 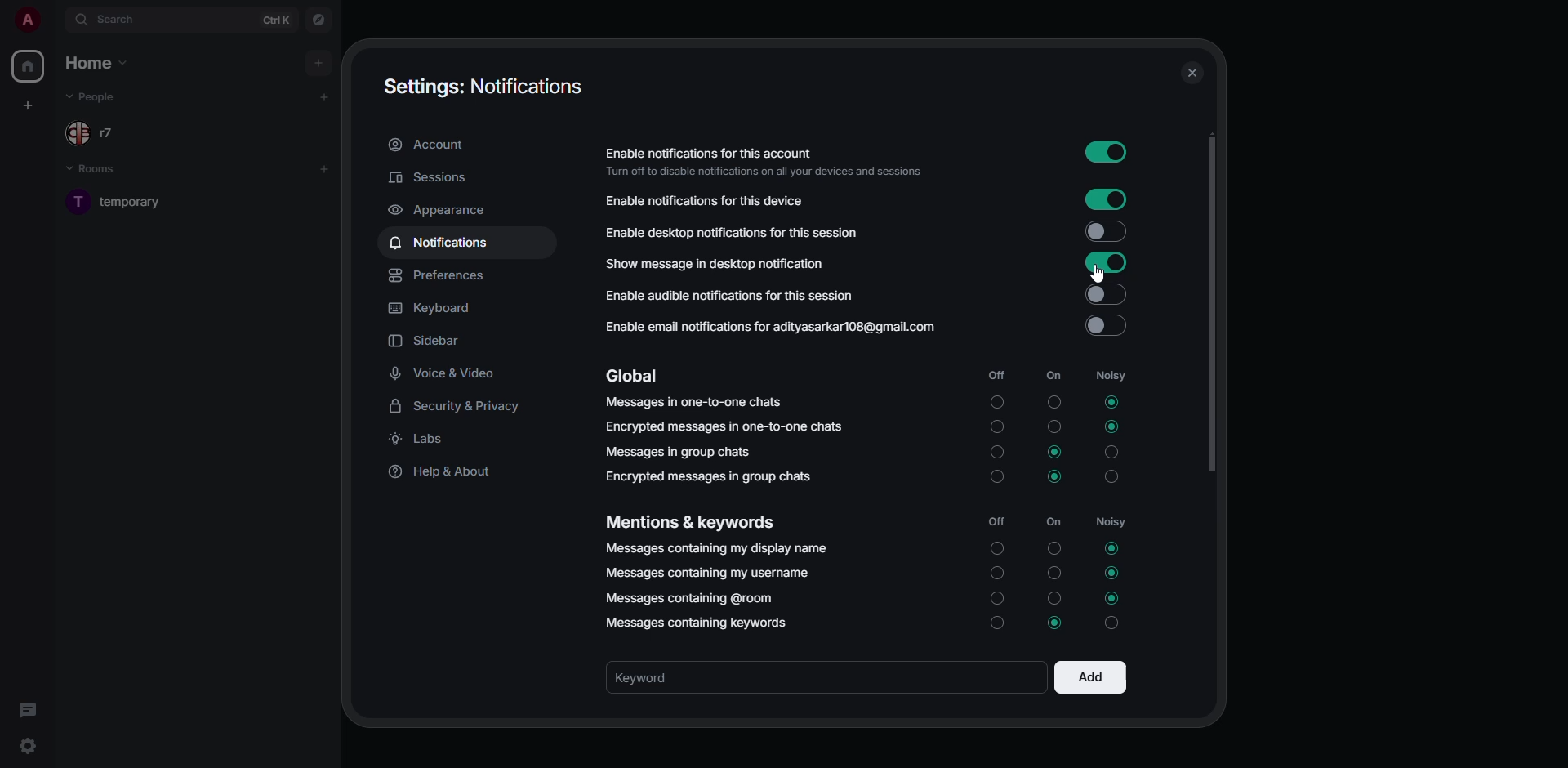 I want to click on selected, so click(x=1114, y=571).